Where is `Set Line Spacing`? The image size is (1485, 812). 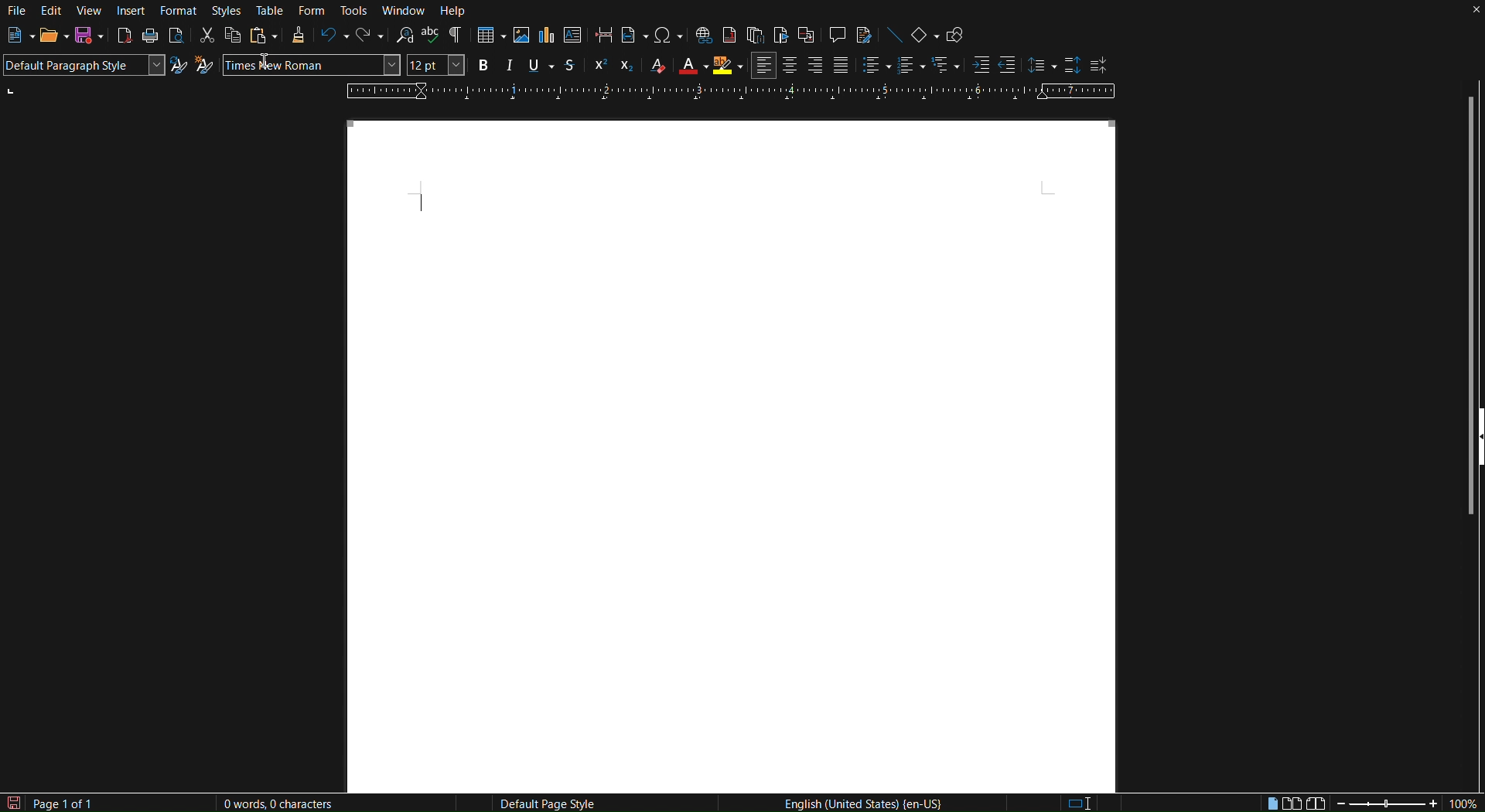
Set Line Spacing is located at coordinates (1041, 67).